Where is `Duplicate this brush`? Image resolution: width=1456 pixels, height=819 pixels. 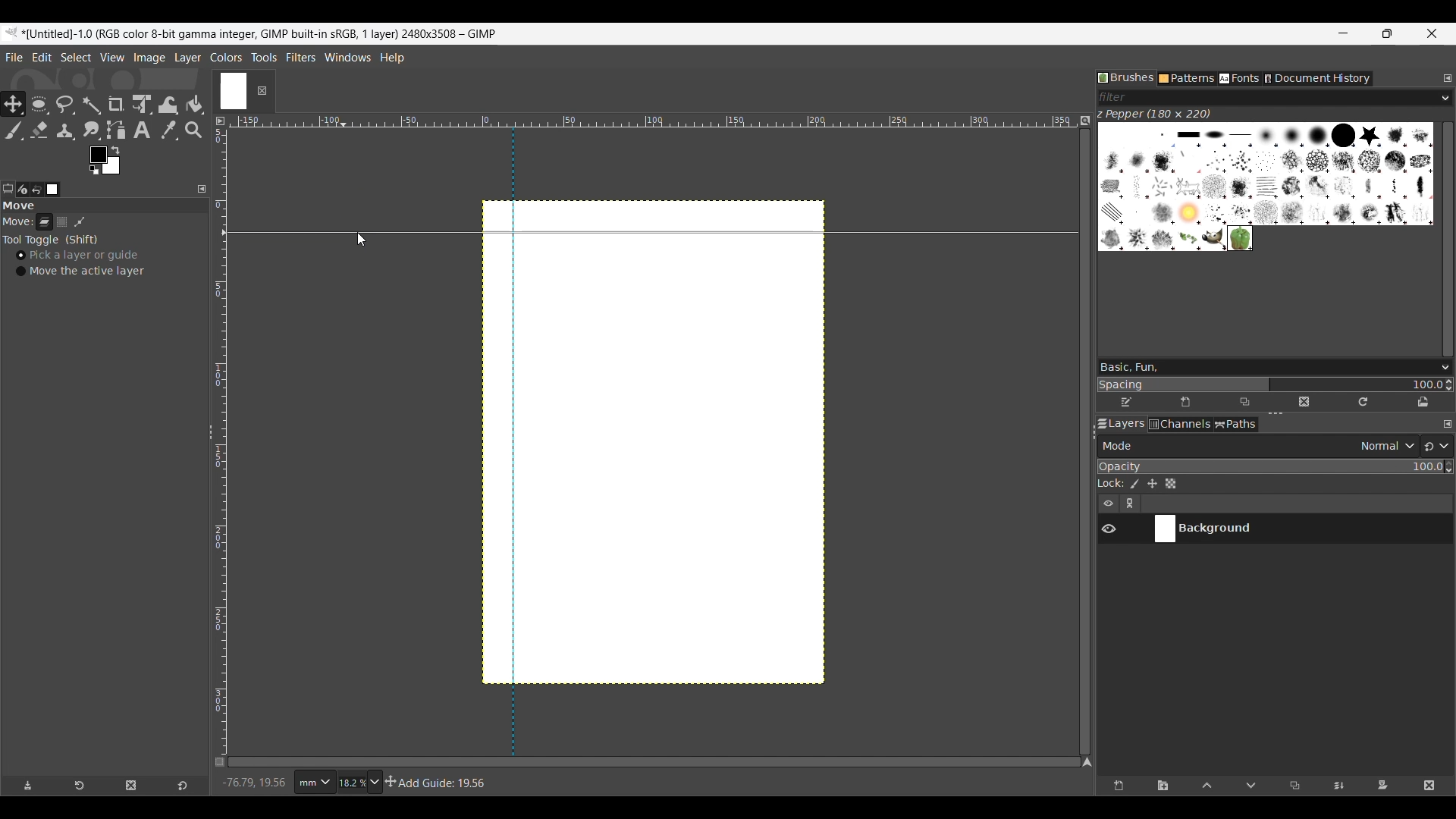
Duplicate this brush is located at coordinates (1244, 403).